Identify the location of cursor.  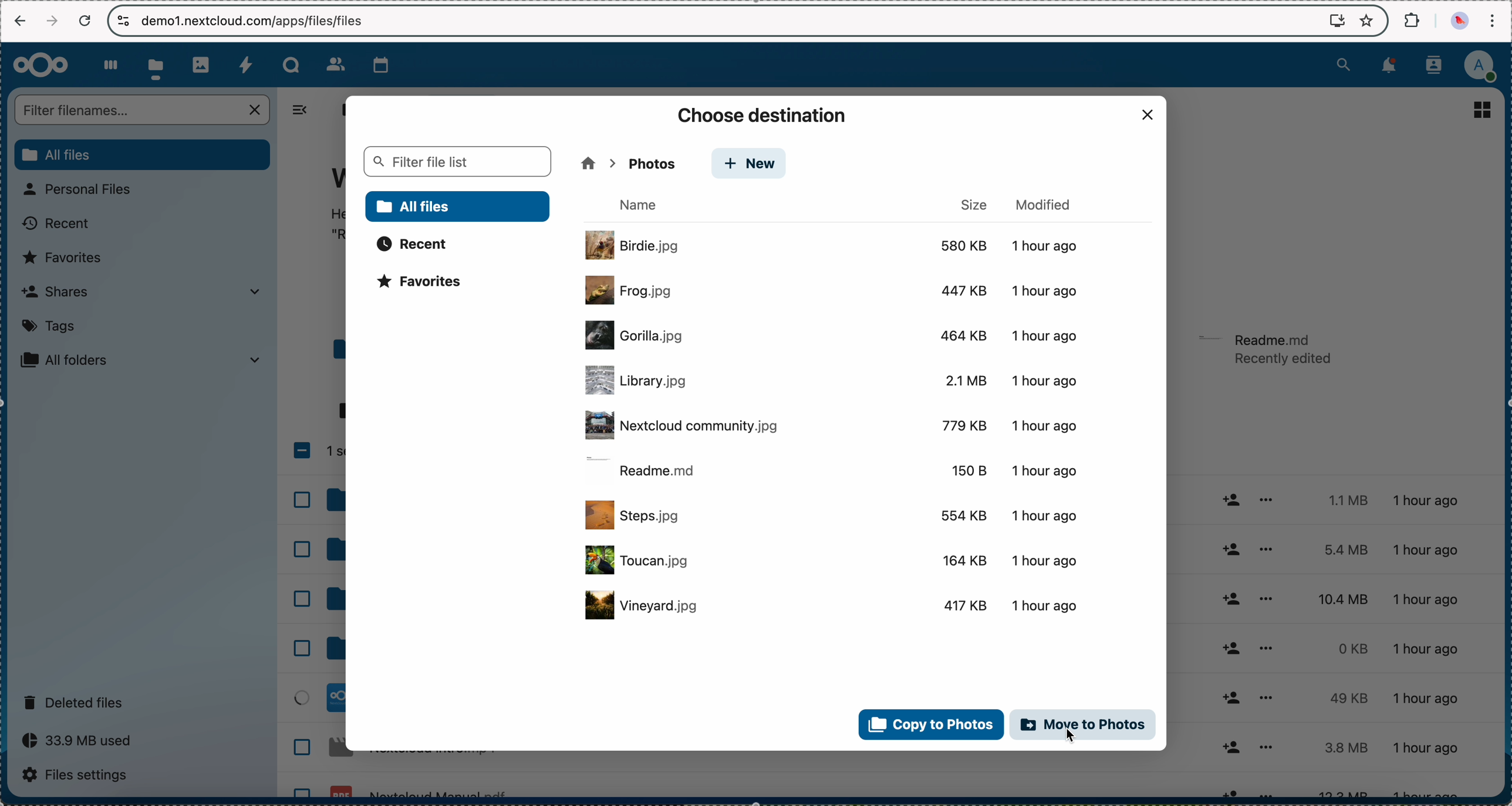
(1074, 736).